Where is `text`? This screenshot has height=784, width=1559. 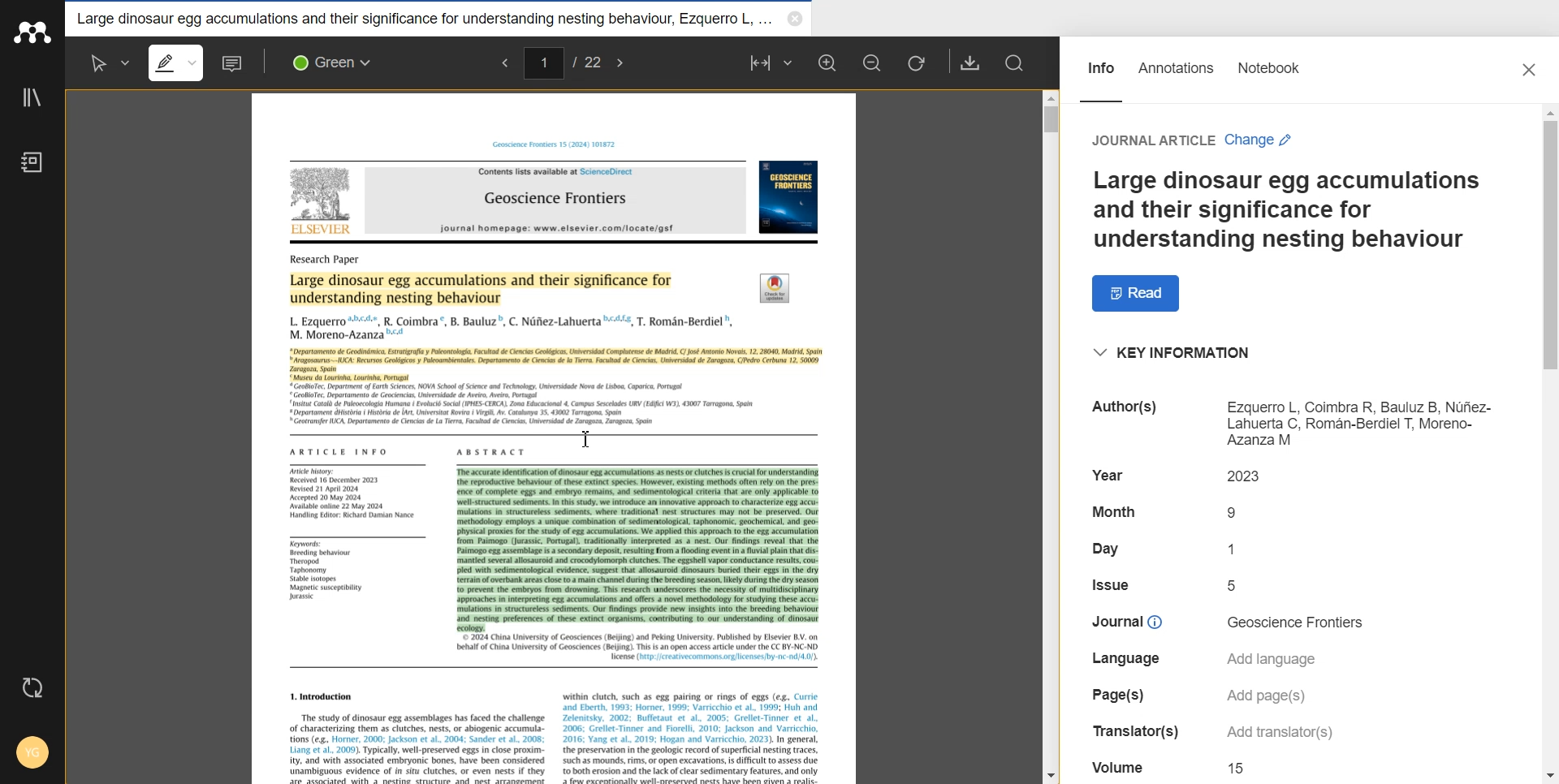
text is located at coordinates (1239, 769).